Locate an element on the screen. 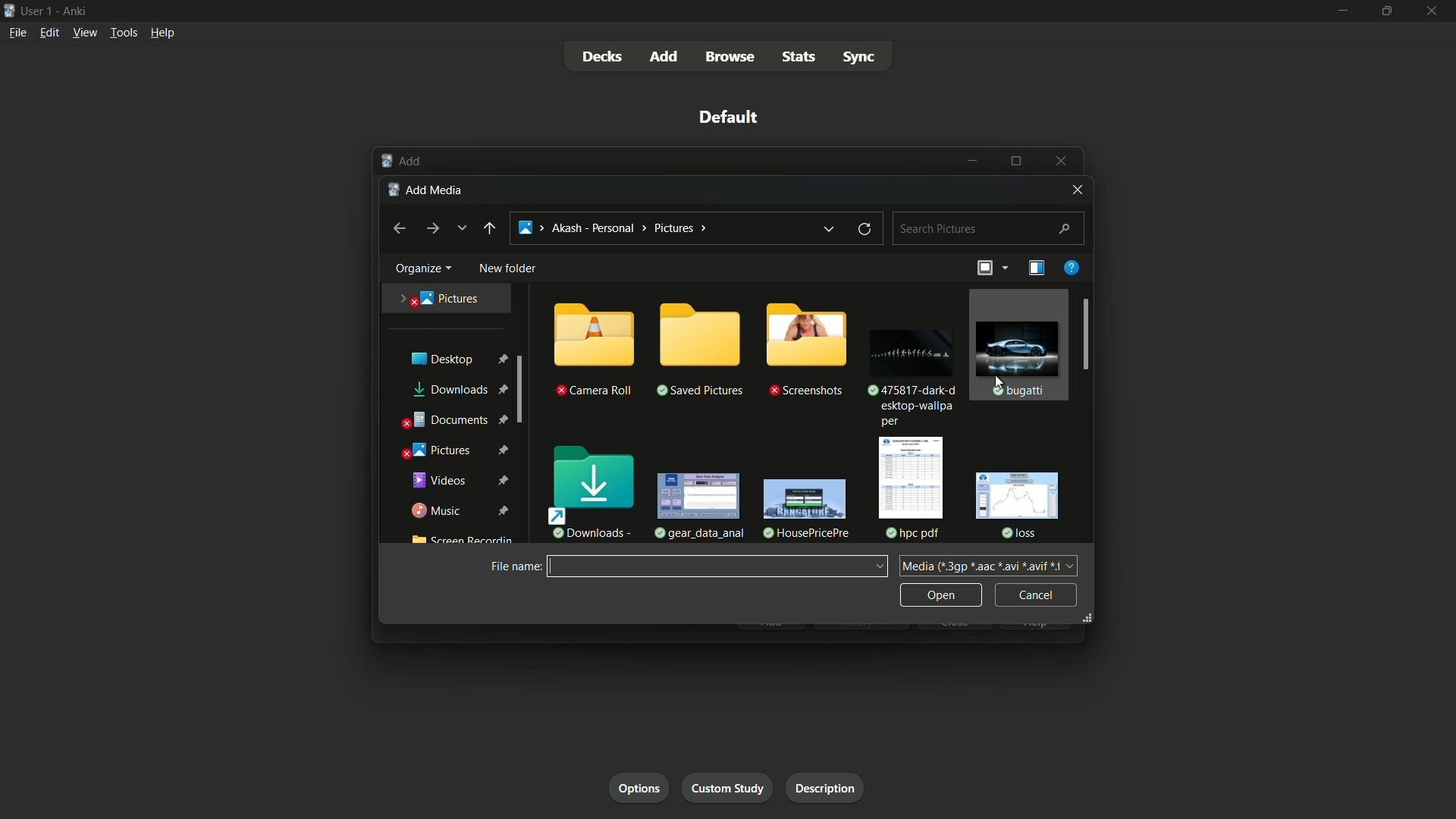 The image size is (1456, 819). file-4 is located at coordinates (803, 507).